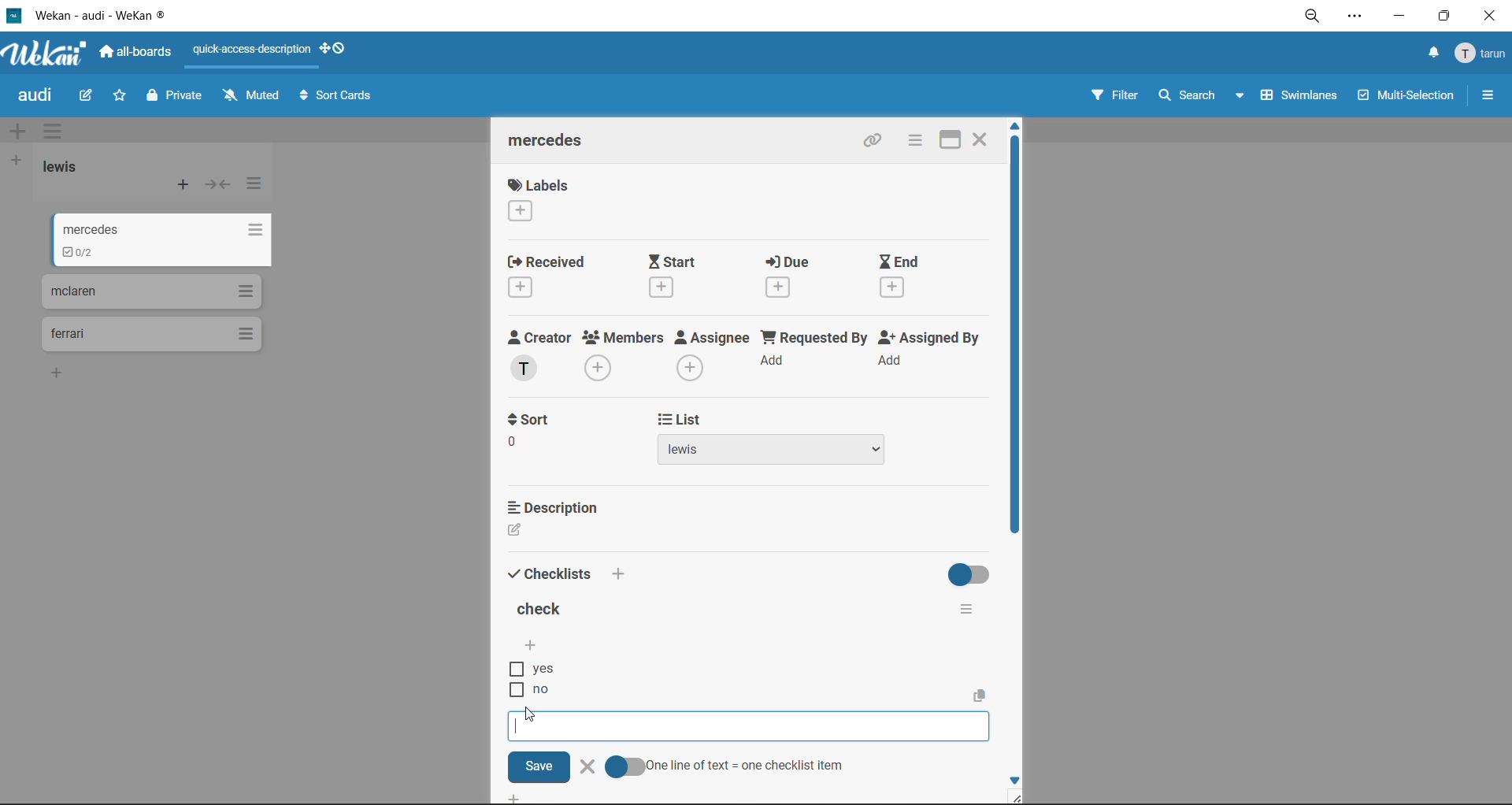 The height and width of the screenshot is (805, 1512). What do you see at coordinates (985, 139) in the screenshot?
I see `close` at bounding box center [985, 139].